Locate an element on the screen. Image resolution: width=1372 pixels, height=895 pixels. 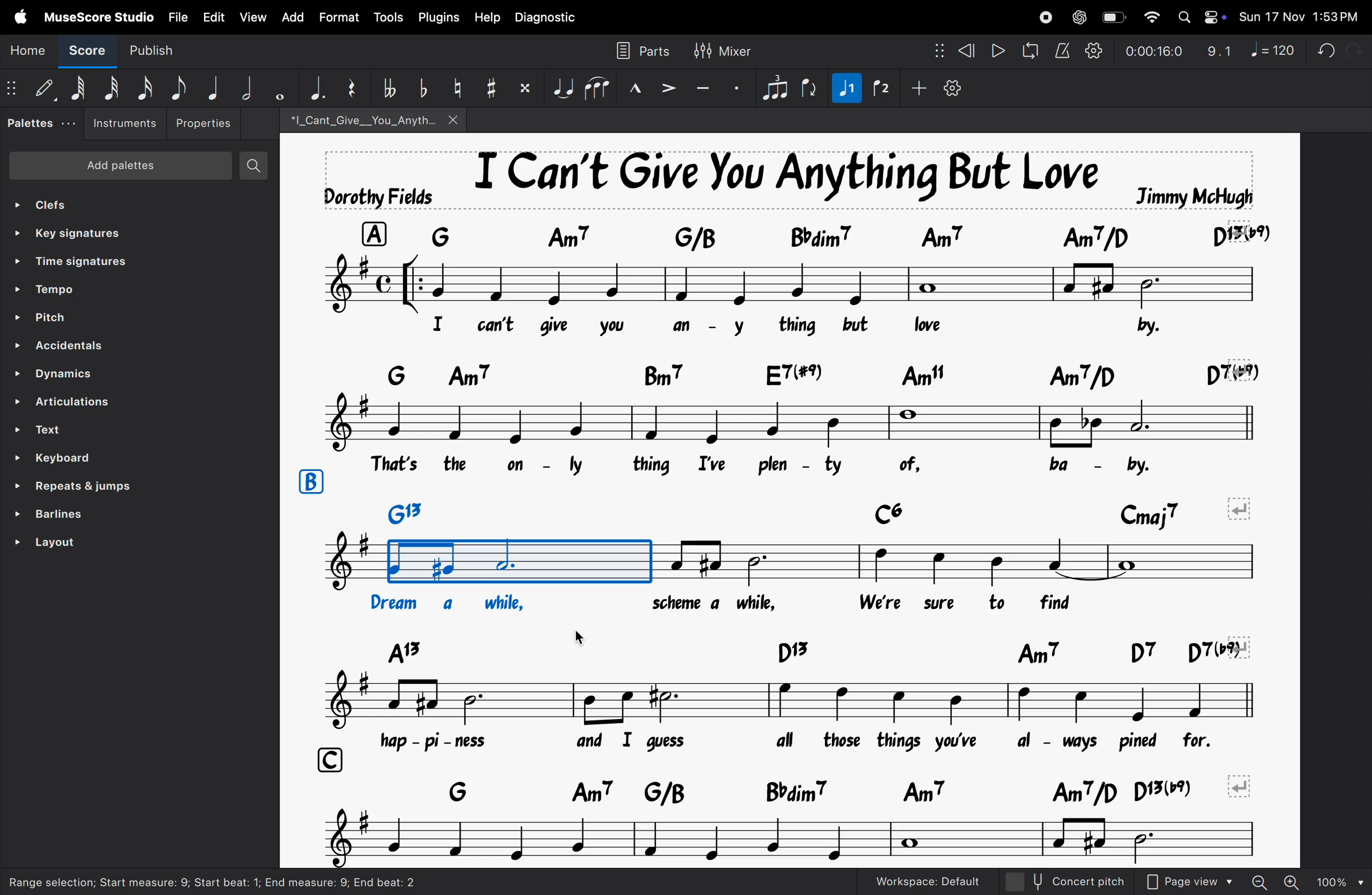
plus sign is located at coordinates (916, 88).